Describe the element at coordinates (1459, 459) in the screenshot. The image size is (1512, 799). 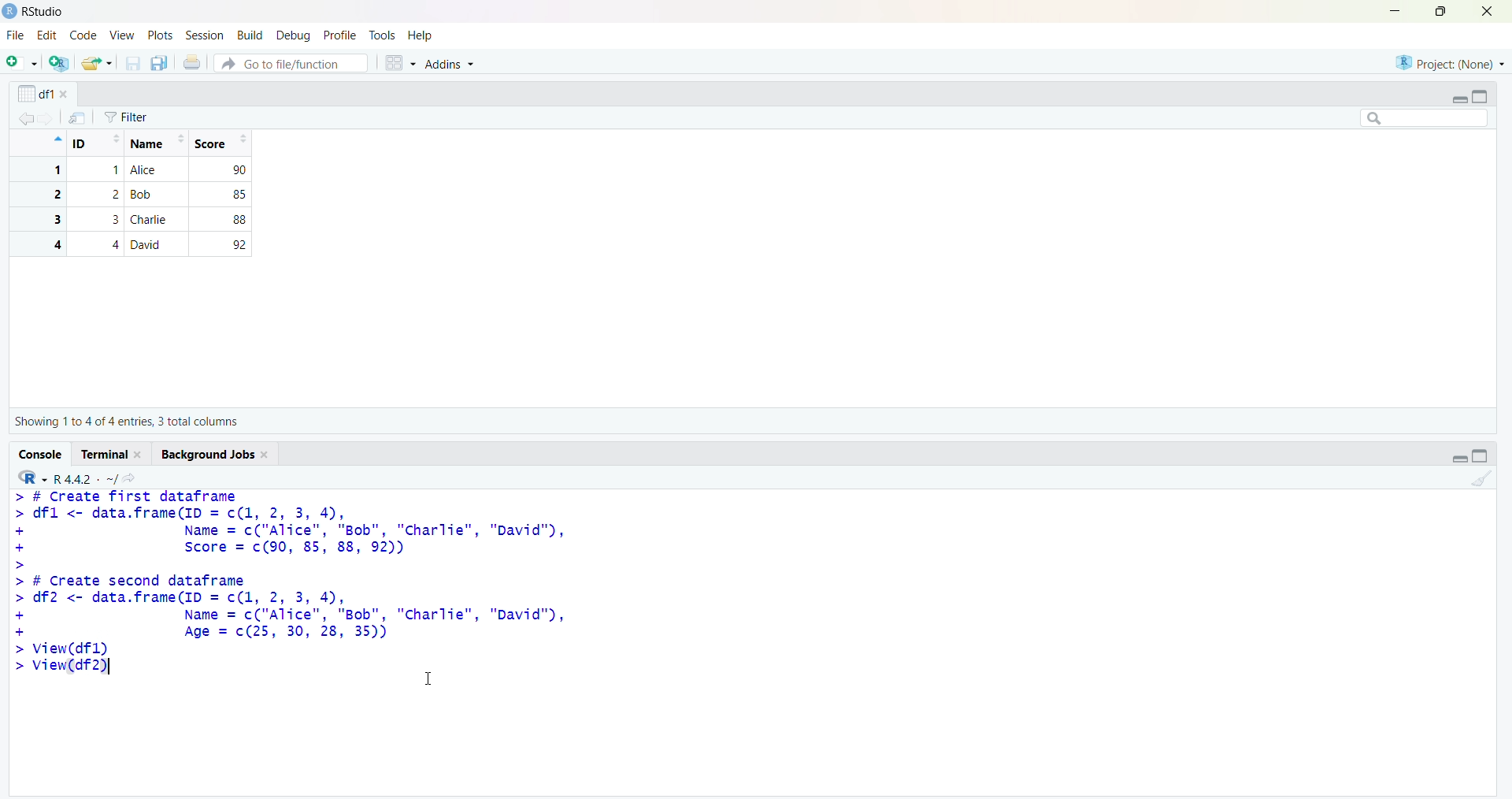
I see `Collapse/expand ` at that location.